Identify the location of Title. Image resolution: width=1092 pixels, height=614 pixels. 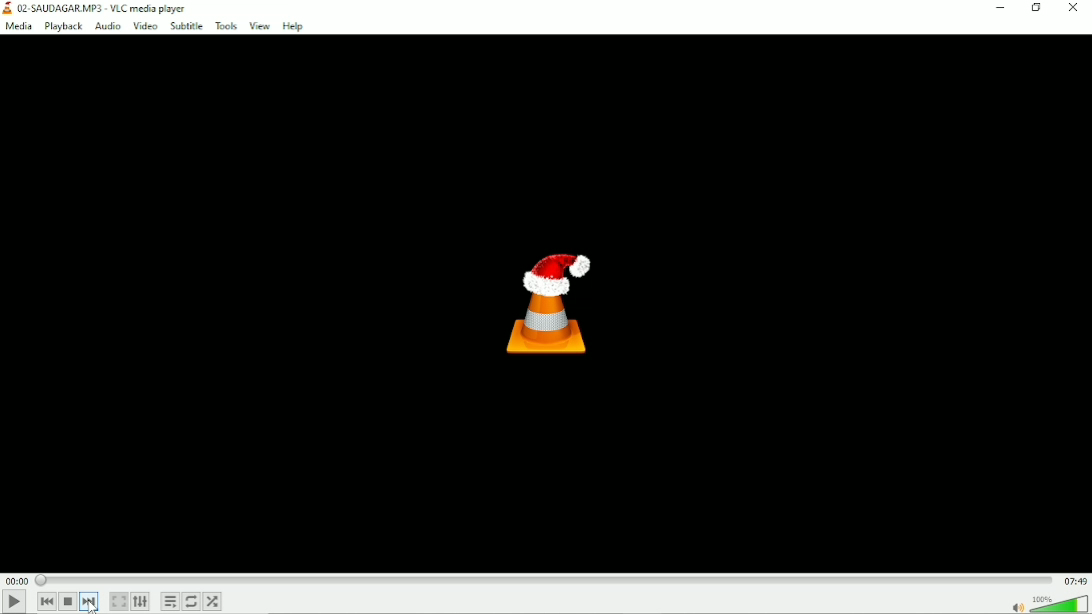
(103, 7).